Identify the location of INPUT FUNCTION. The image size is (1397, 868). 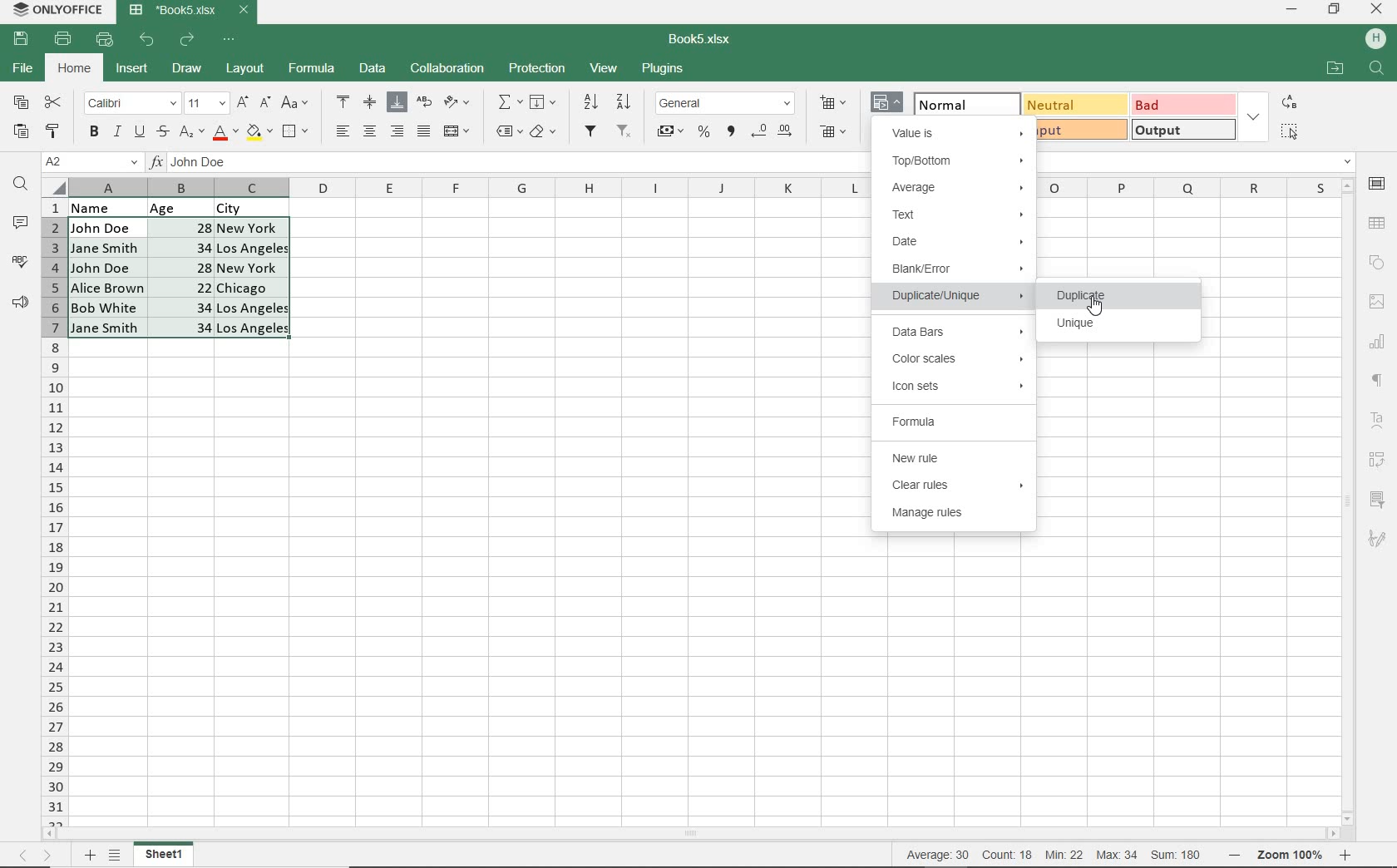
(510, 165).